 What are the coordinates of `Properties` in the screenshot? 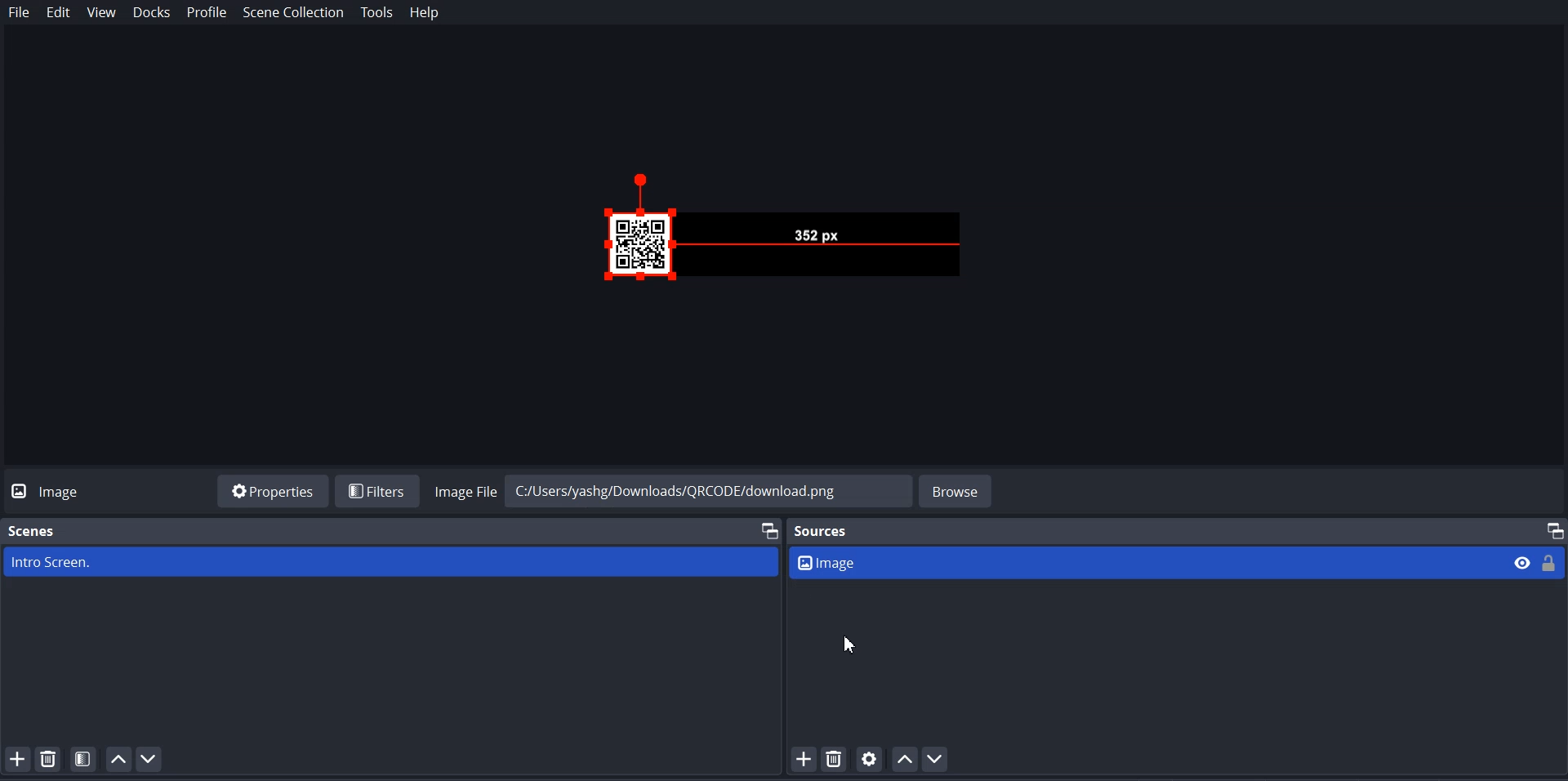 It's located at (273, 490).